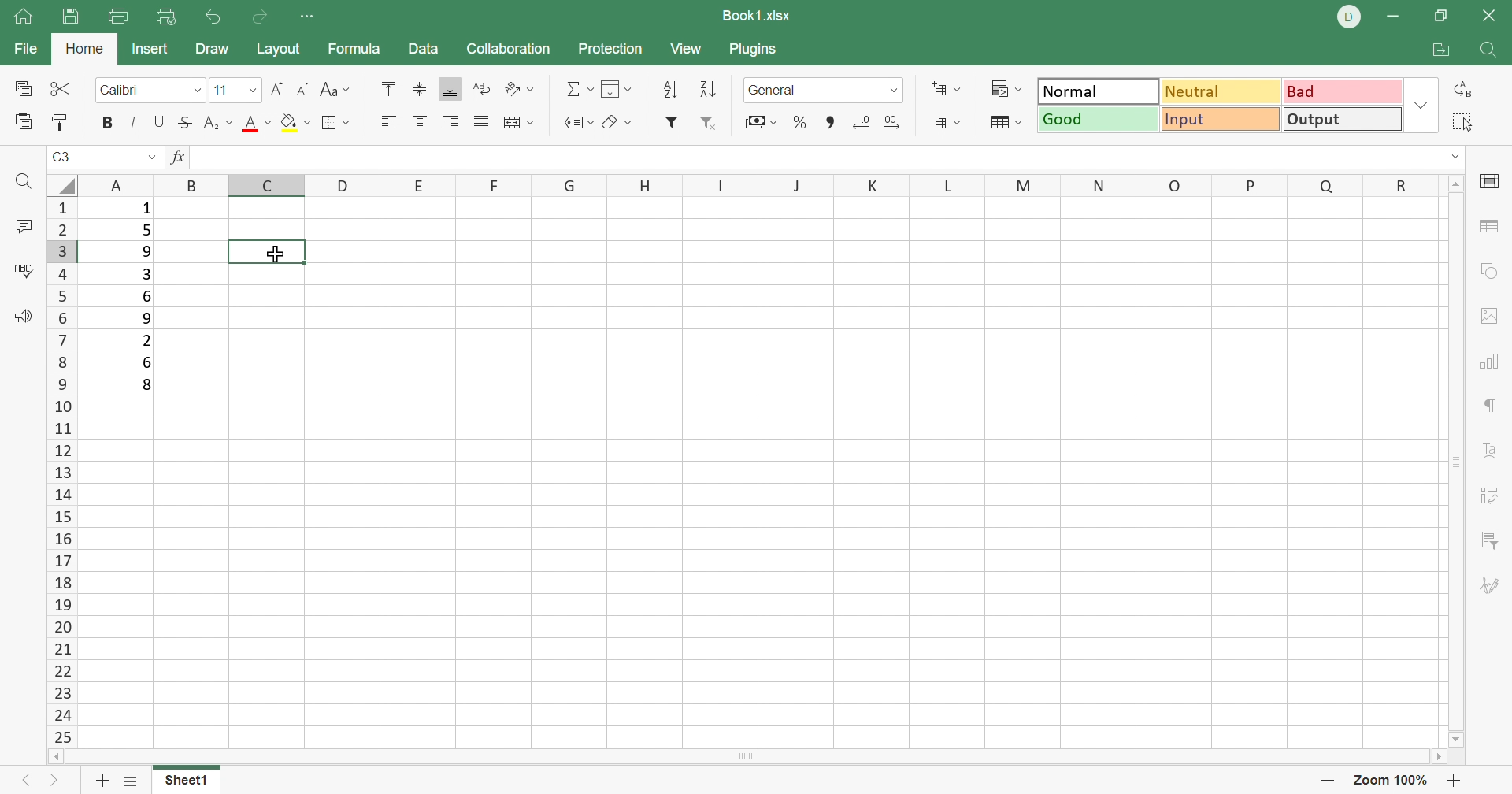 The width and height of the screenshot is (1512, 794). What do you see at coordinates (1393, 16) in the screenshot?
I see `Minimize` at bounding box center [1393, 16].